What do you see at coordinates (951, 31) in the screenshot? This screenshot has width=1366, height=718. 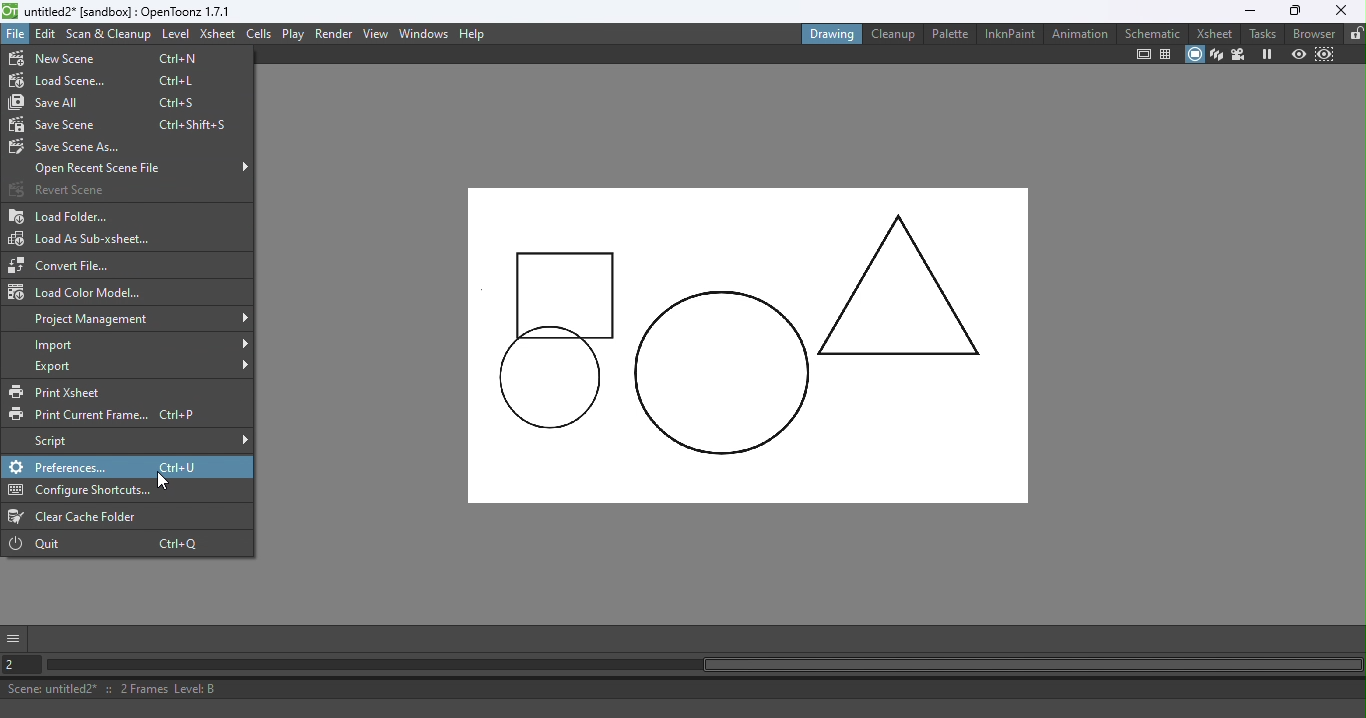 I see `Palette` at bounding box center [951, 31].